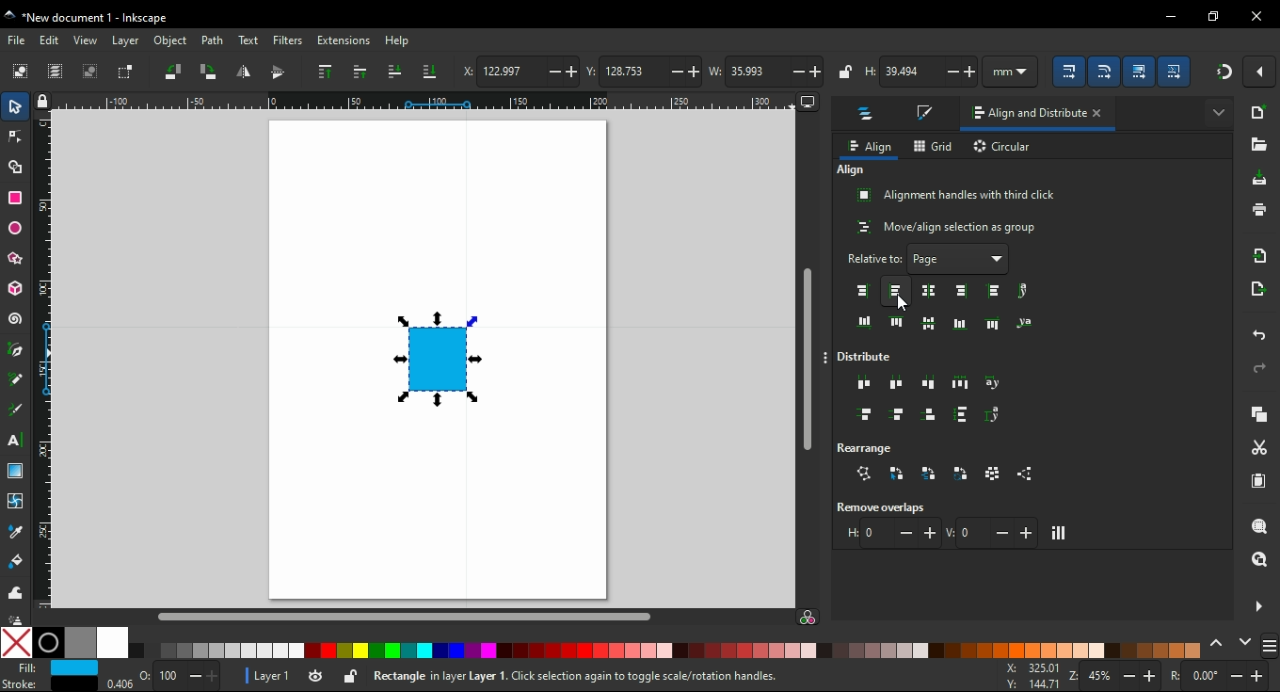 The image size is (1280, 692). Describe the element at coordinates (913, 258) in the screenshot. I see `relative to` at that location.